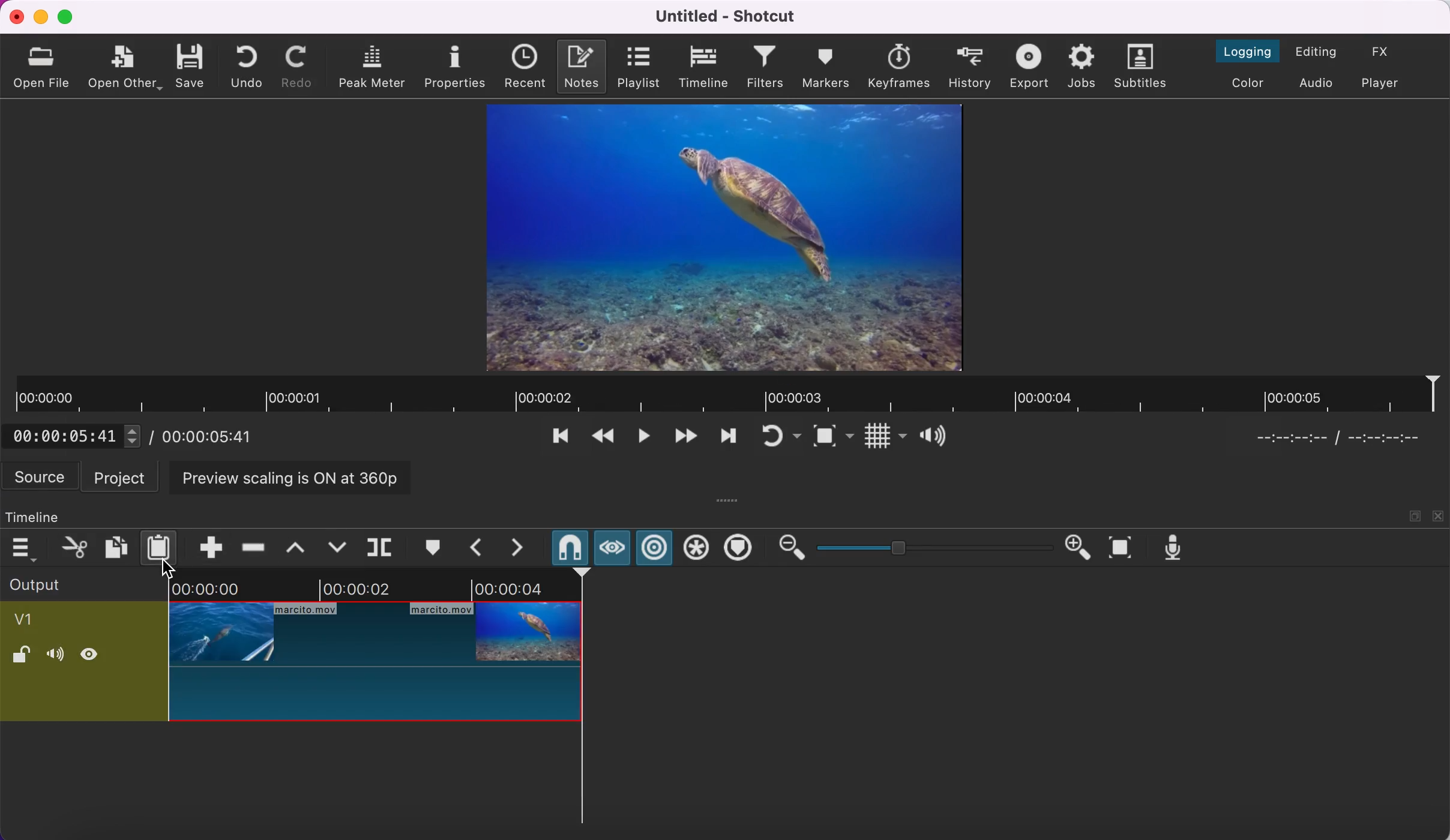 Image resolution: width=1450 pixels, height=840 pixels. I want to click on clip, so click(723, 237).